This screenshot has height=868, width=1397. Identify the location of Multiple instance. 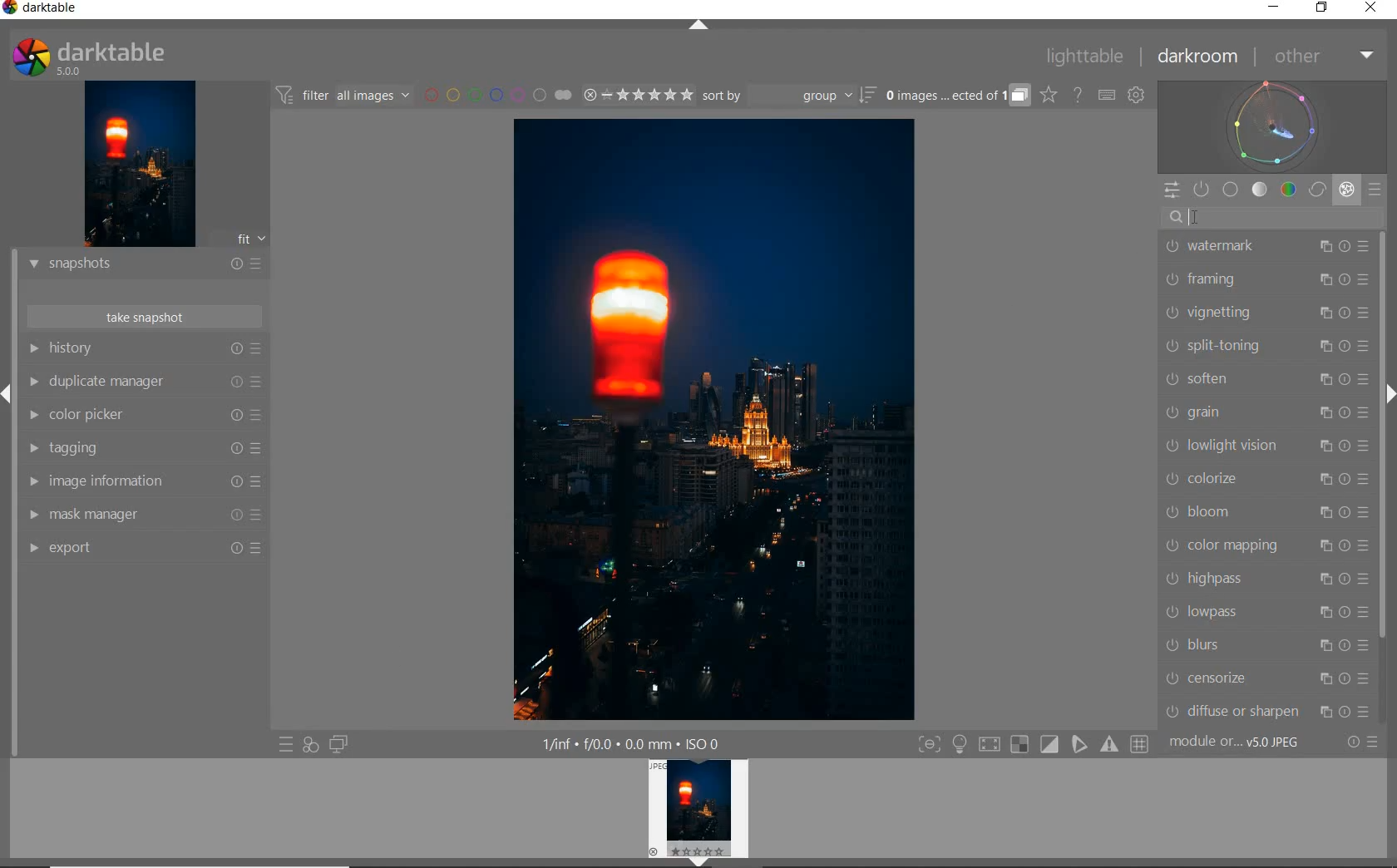
(1321, 680).